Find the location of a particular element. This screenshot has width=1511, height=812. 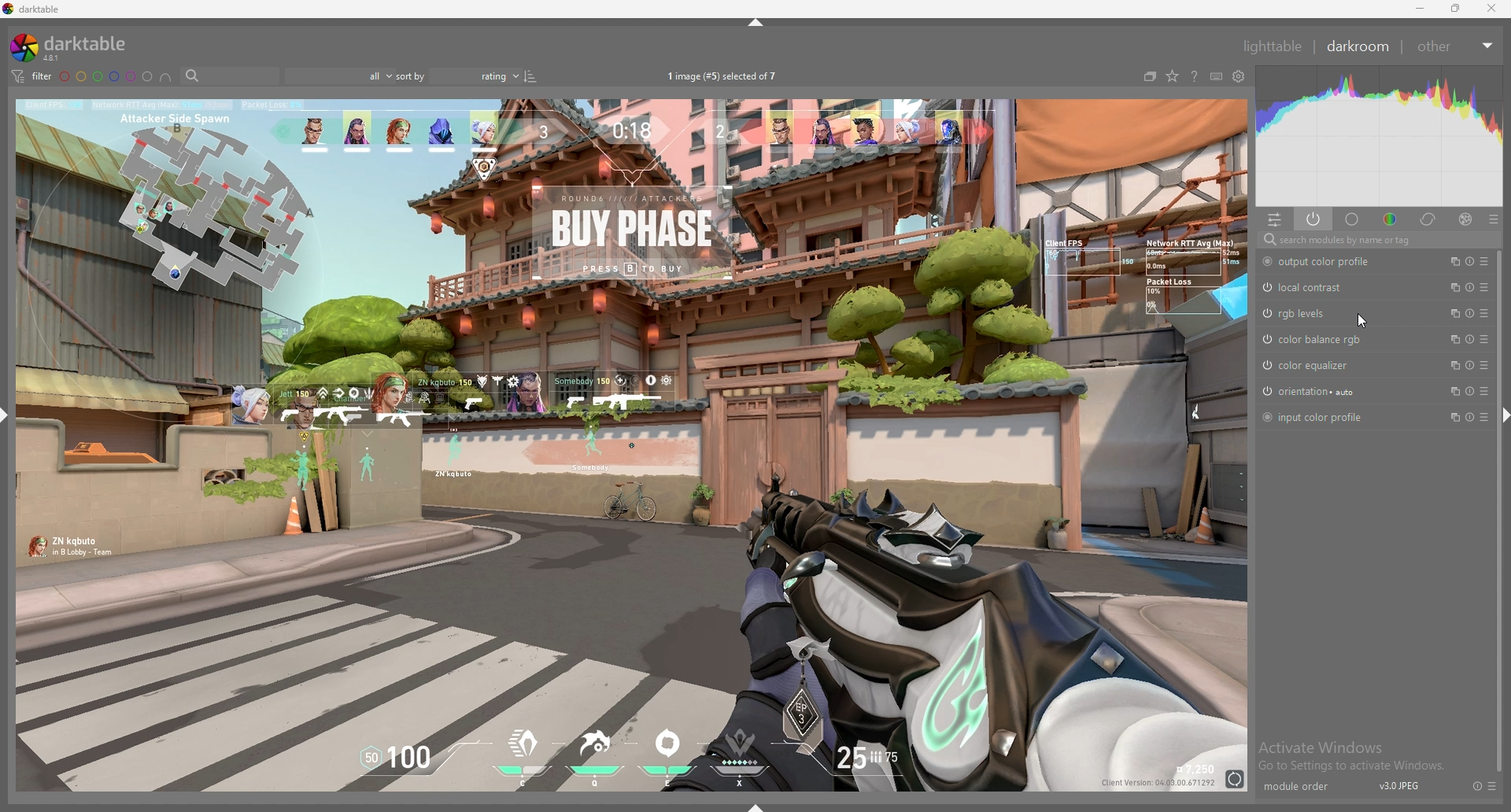

collapse grouped images is located at coordinates (1151, 77).